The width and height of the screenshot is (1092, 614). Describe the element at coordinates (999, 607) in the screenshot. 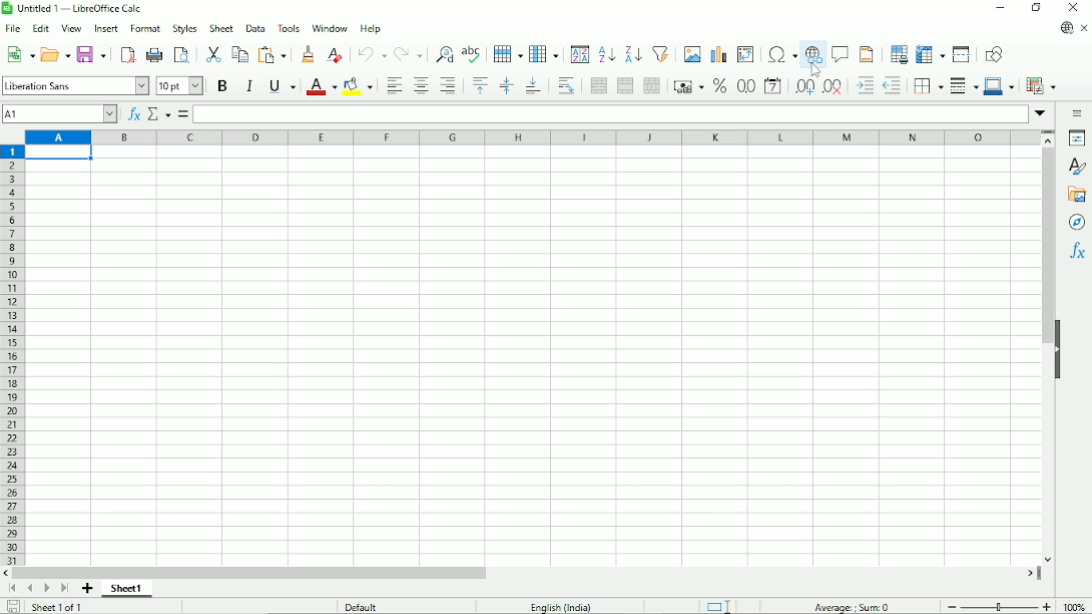

I see `Zoom out/in` at that location.